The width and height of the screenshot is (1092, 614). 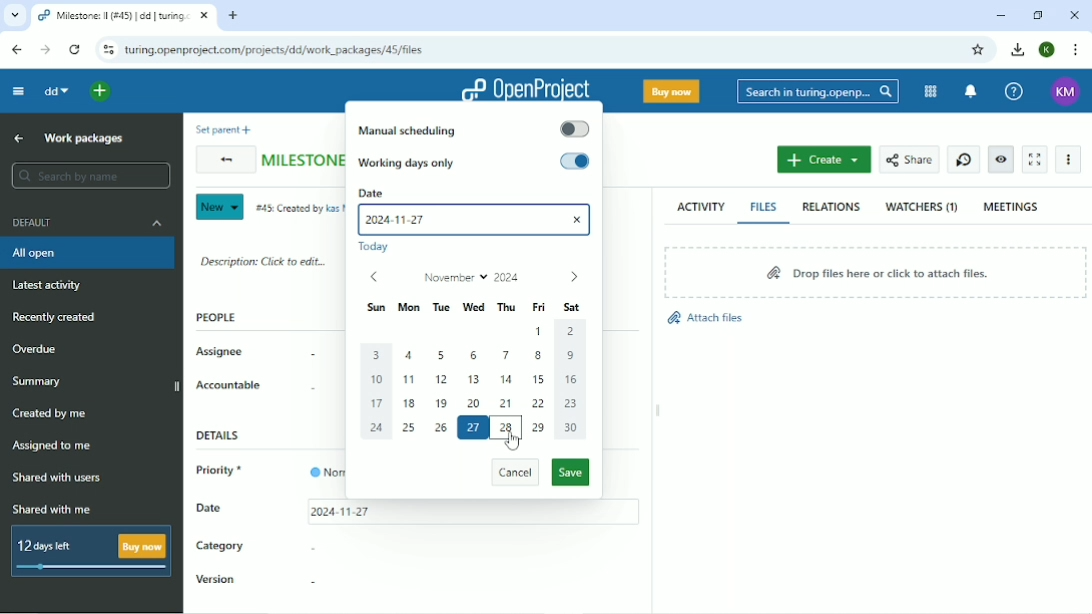 What do you see at coordinates (264, 260) in the screenshot?
I see `Description: click to edit` at bounding box center [264, 260].